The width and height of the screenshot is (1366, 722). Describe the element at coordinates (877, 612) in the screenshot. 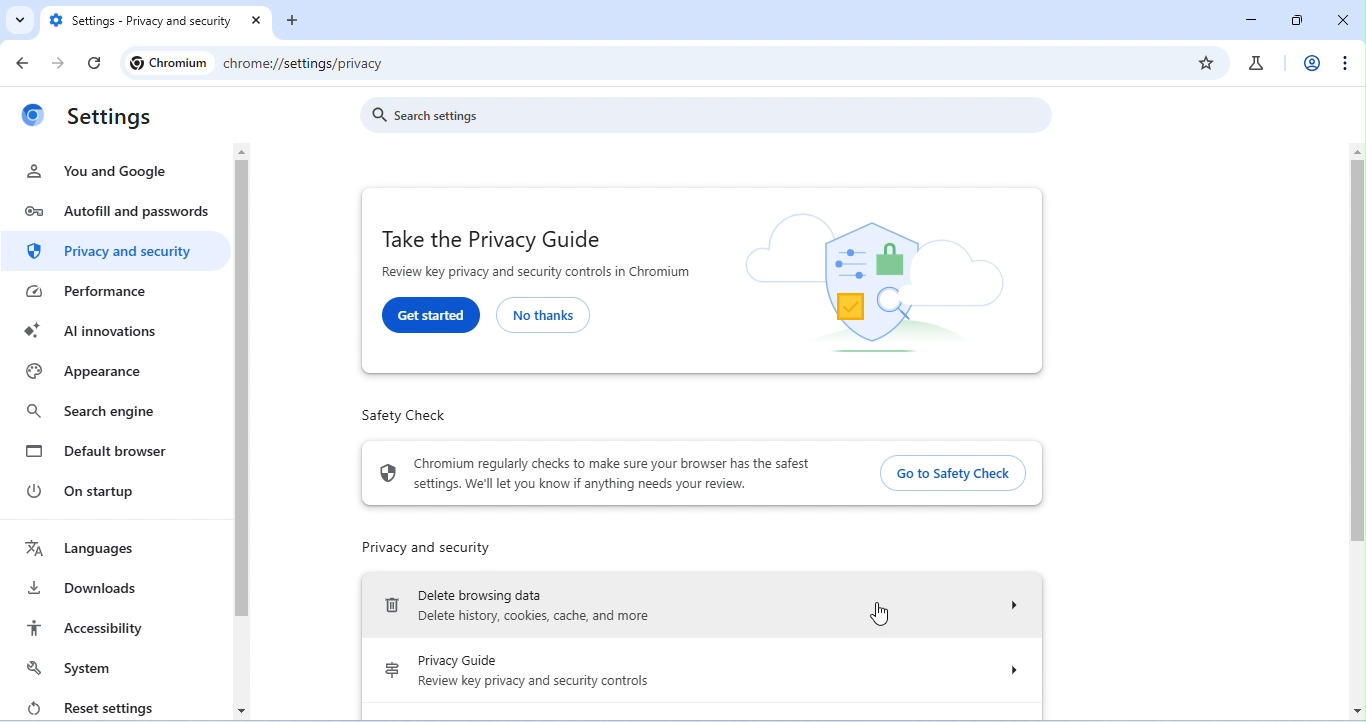

I see `cursor movement` at that location.